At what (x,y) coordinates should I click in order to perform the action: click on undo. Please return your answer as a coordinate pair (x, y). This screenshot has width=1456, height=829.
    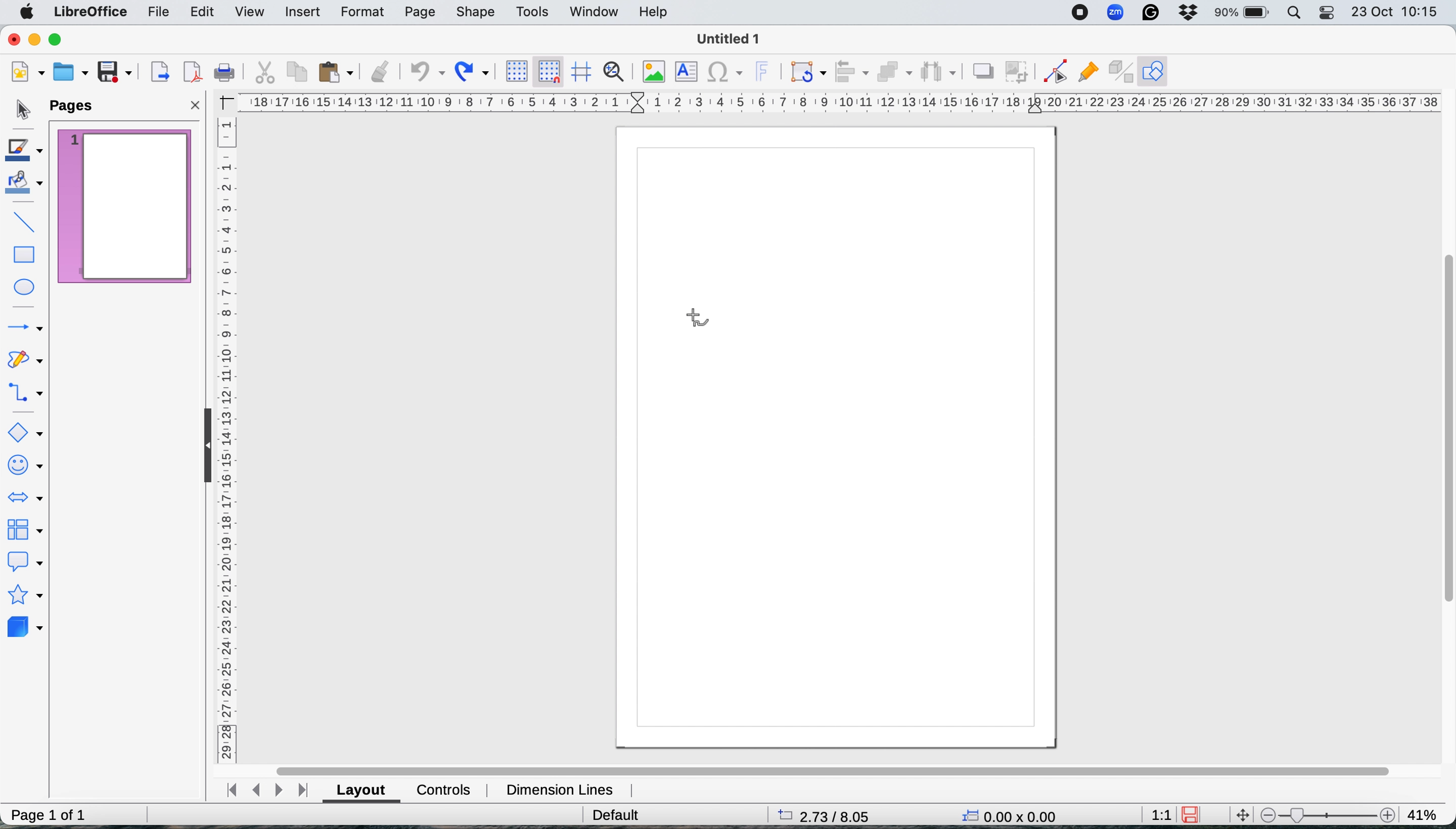
    Looking at the image, I should click on (427, 73).